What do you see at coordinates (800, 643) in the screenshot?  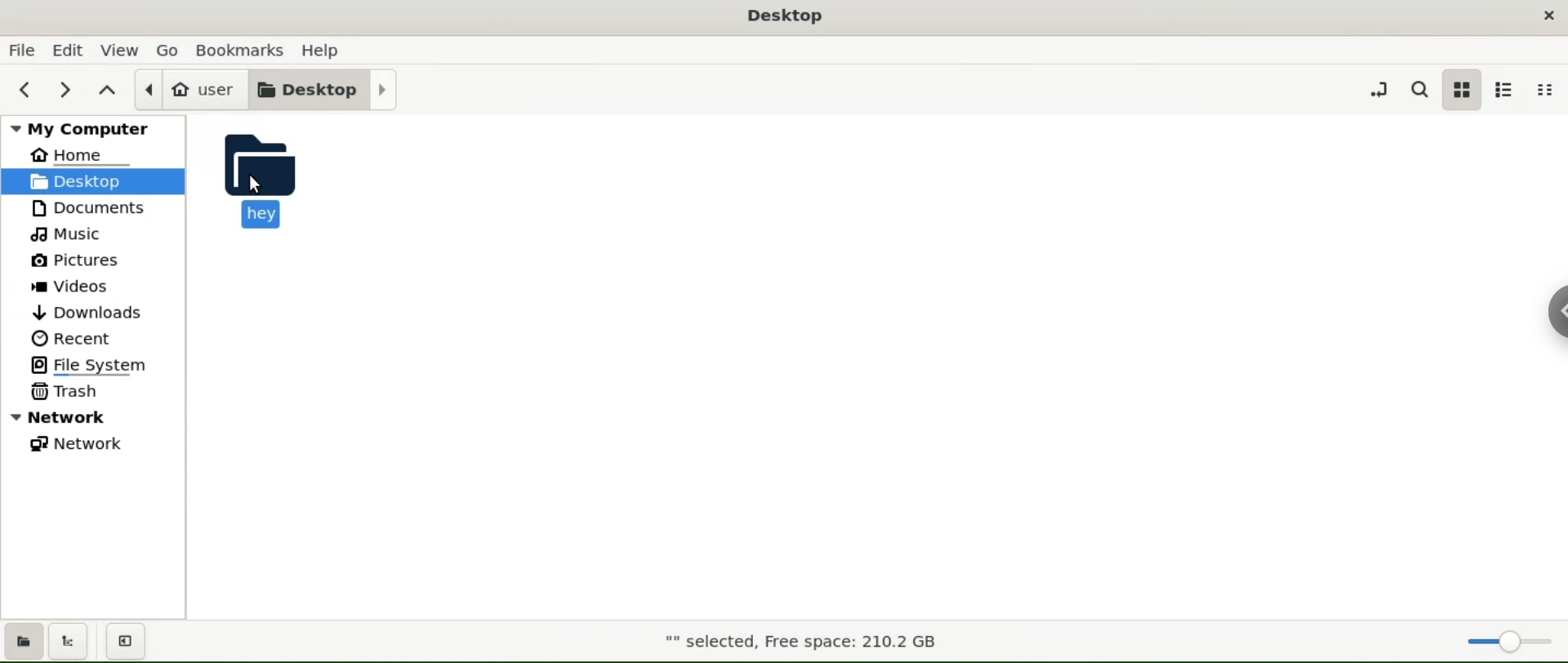 I see `storage` at bounding box center [800, 643].